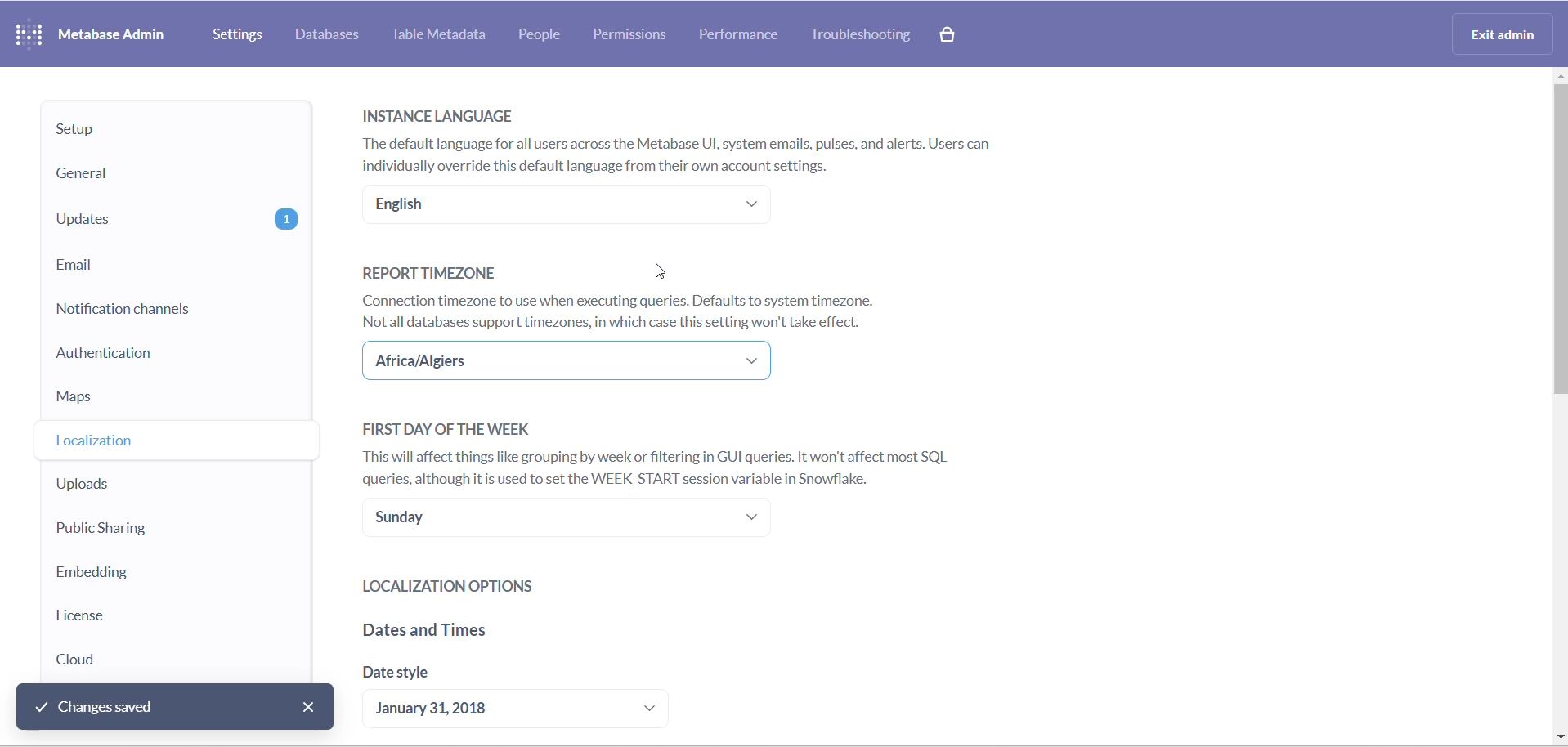 The image size is (1568, 747). Describe the element at coordinates (563, 206) in the screenshot. I see `language dropdown options` at that location.